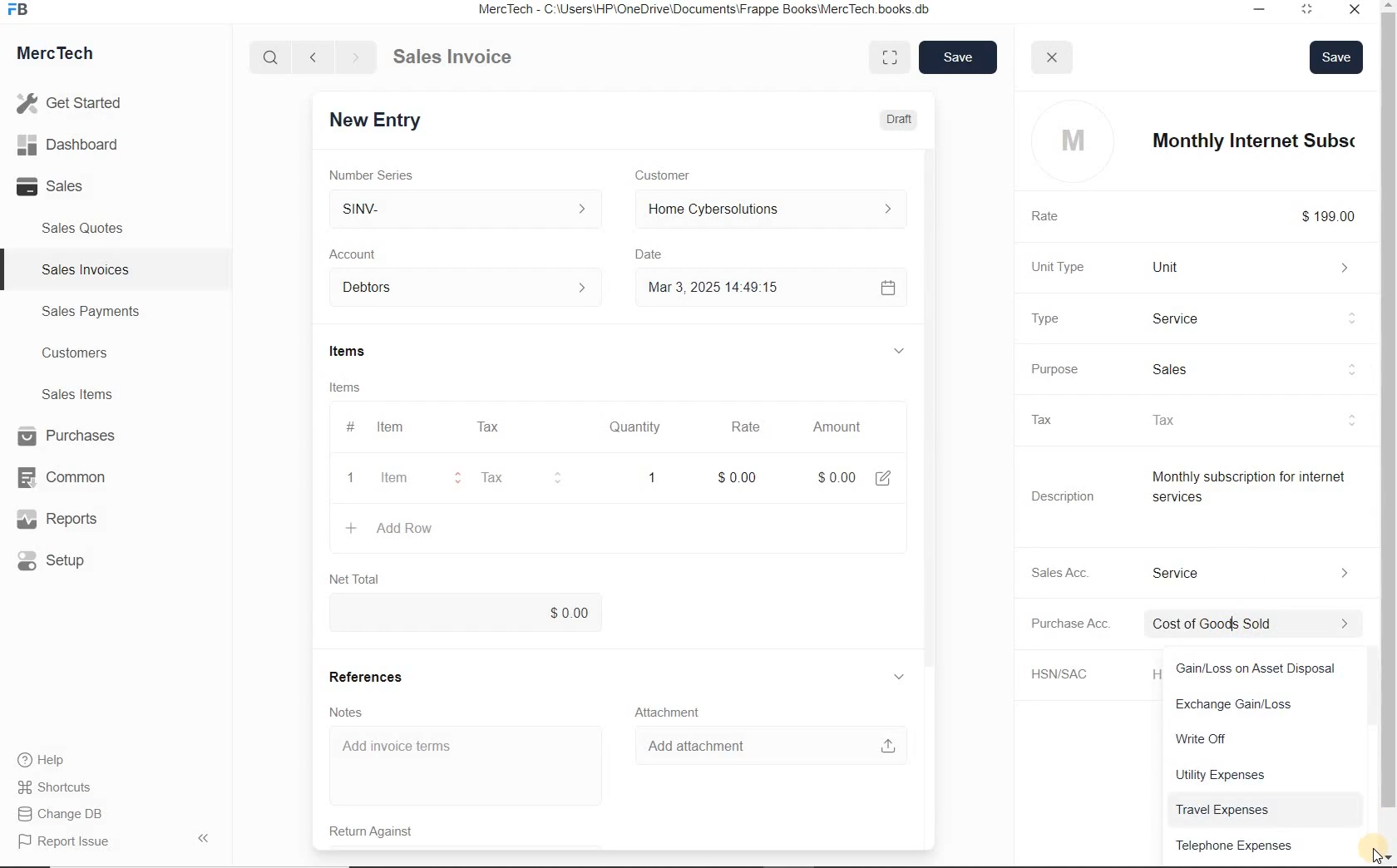  I want to click on Sales Quotes, so click(86, 228).